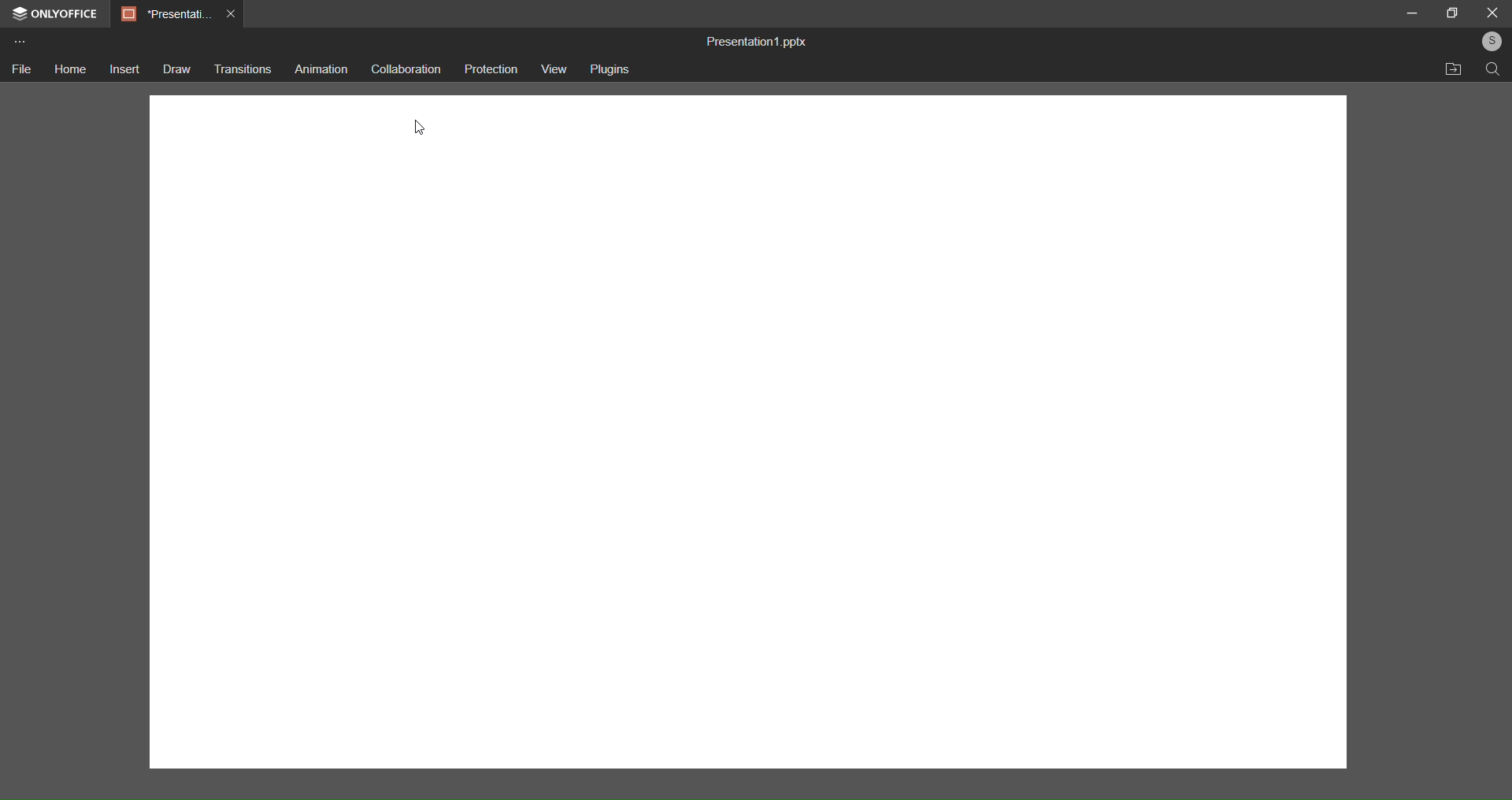  Describe the element at coordinates (1488, 43) in the screenshot. I see `user` at that location.